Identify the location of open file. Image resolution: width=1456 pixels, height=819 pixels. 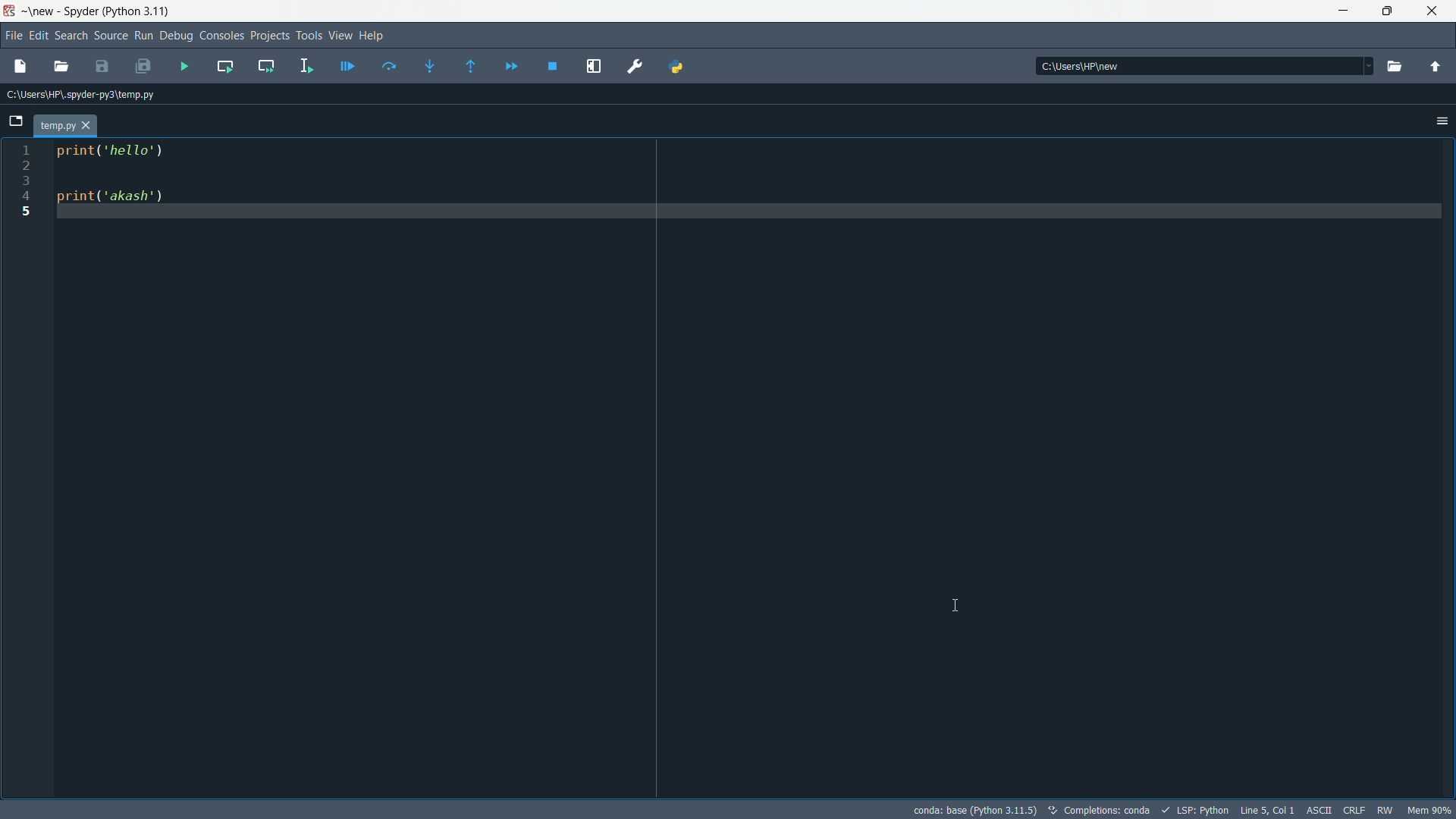
(61, 67).